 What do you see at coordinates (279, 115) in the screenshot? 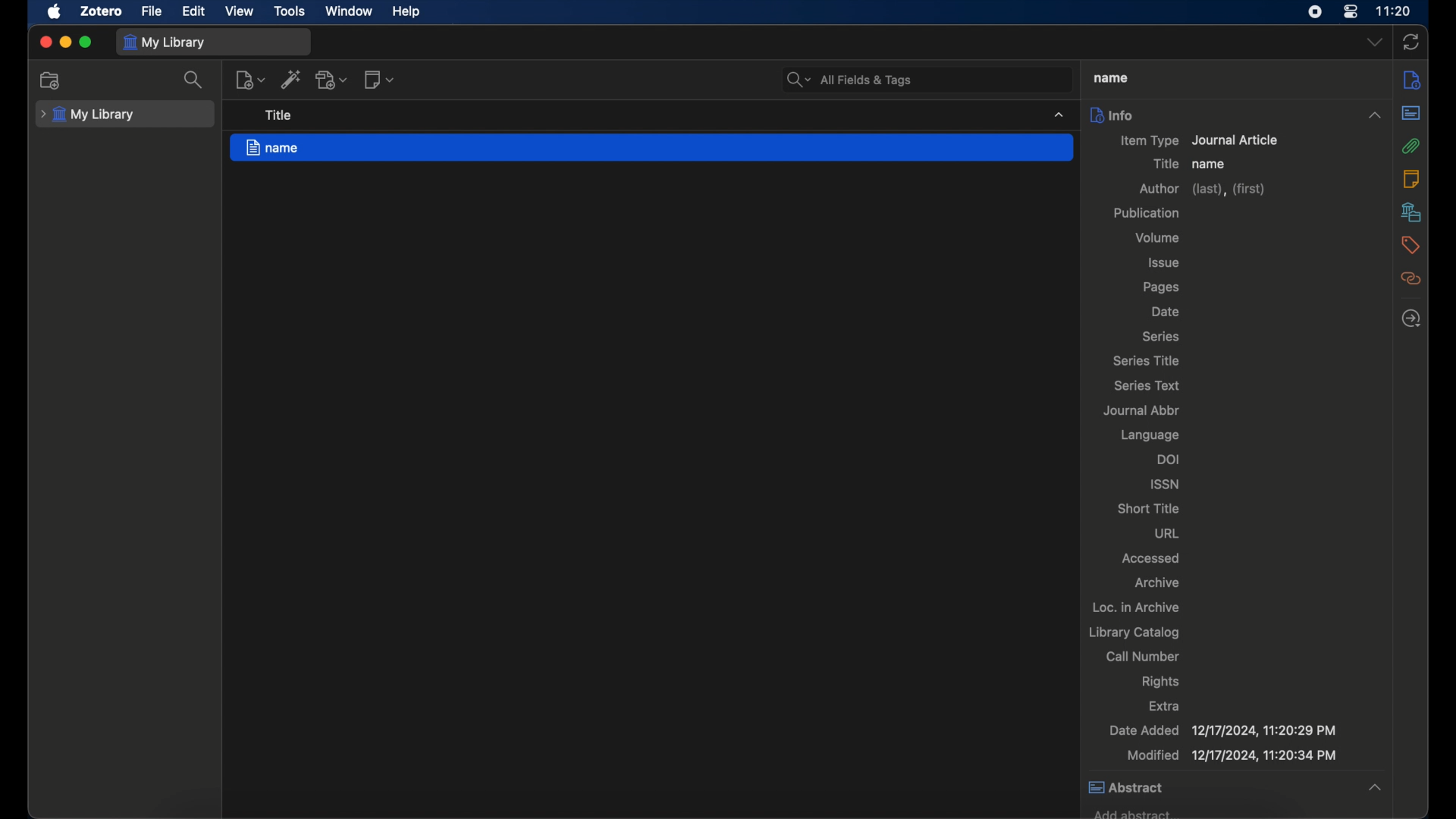
I see `tool tip` at bounding box center [279, 115].